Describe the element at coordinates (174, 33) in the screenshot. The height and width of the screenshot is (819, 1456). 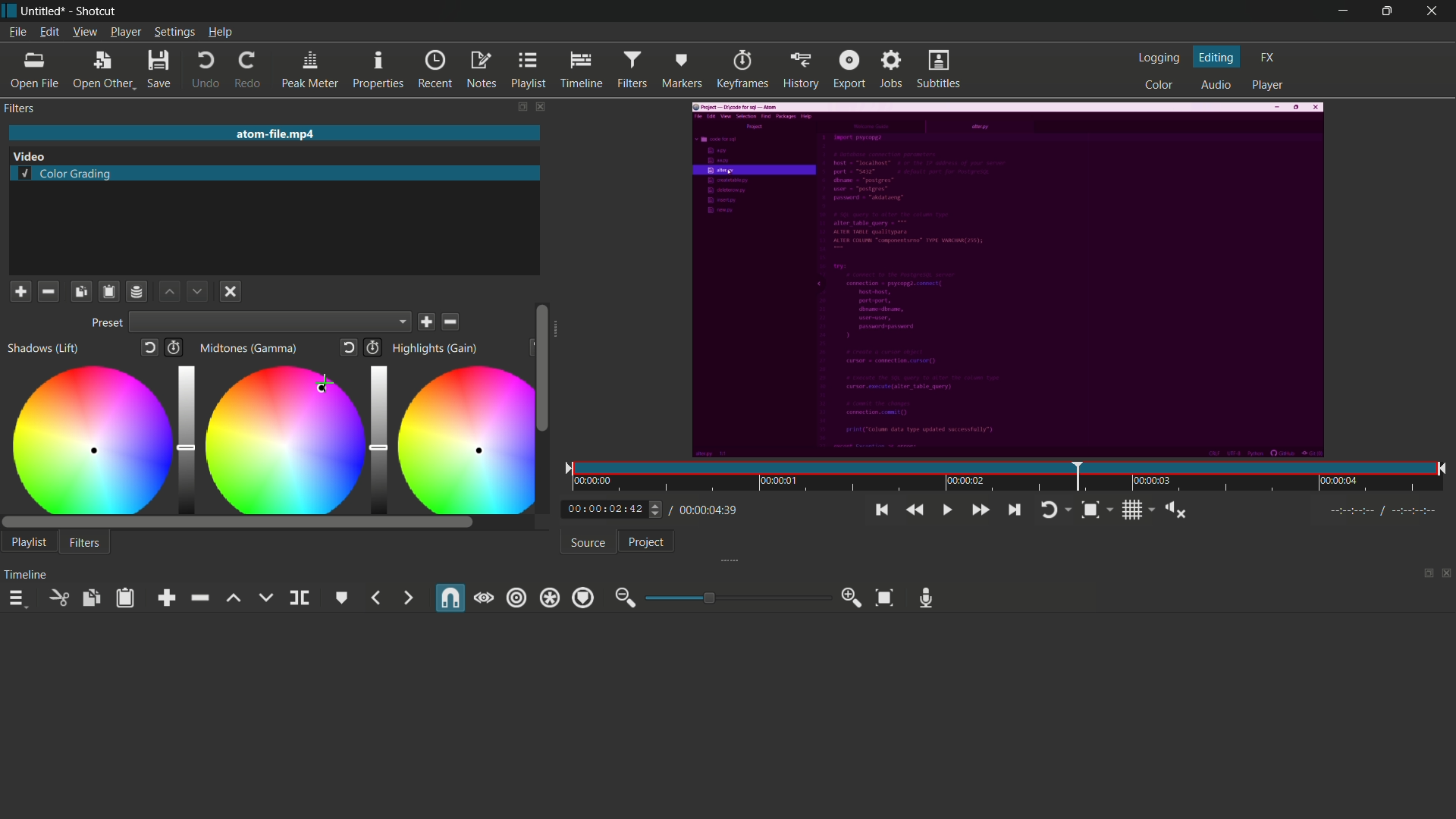
I see `settings menu` at that location.